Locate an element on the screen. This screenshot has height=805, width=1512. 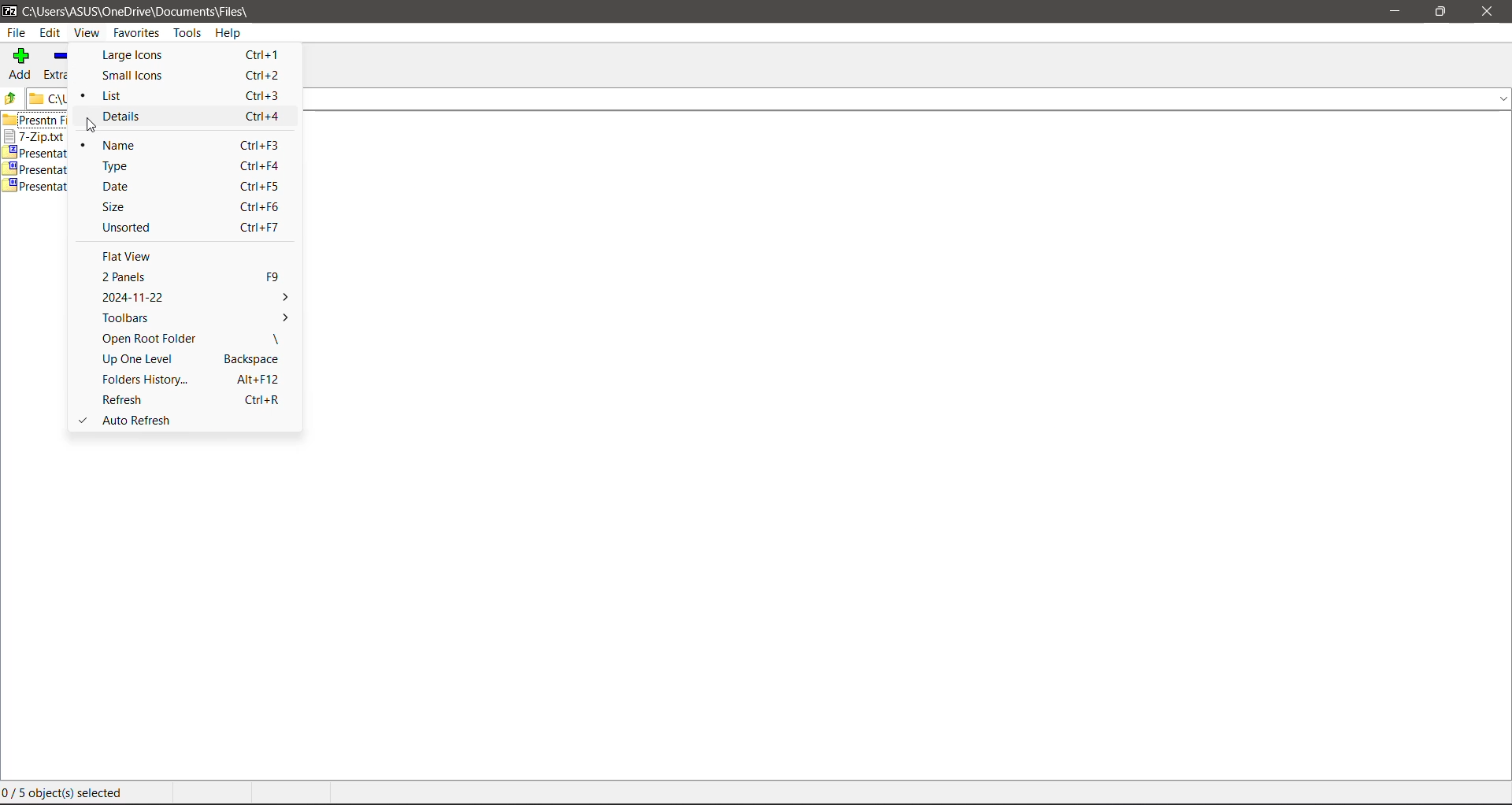
Folders History is located at coordinates (187, 379).